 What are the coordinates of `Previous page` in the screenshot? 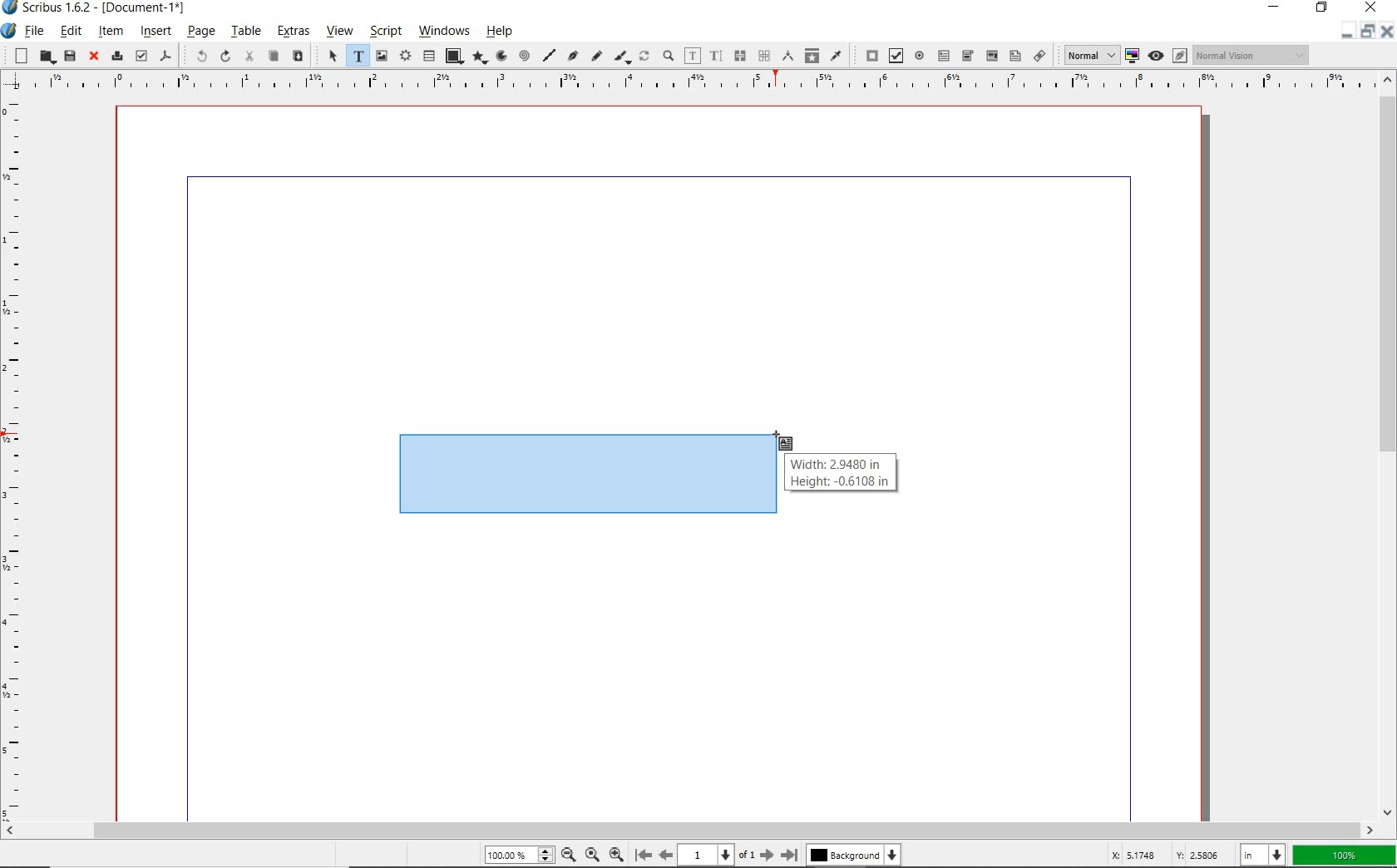 It's located at (664, 855).